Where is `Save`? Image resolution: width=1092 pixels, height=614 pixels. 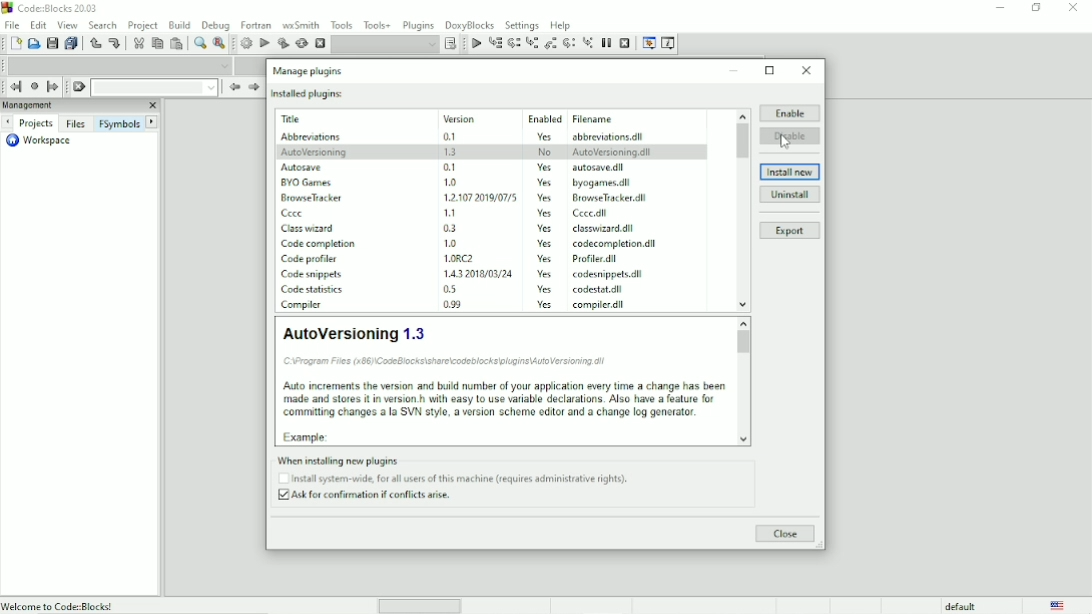 Save is located at coordinates (51, 44).